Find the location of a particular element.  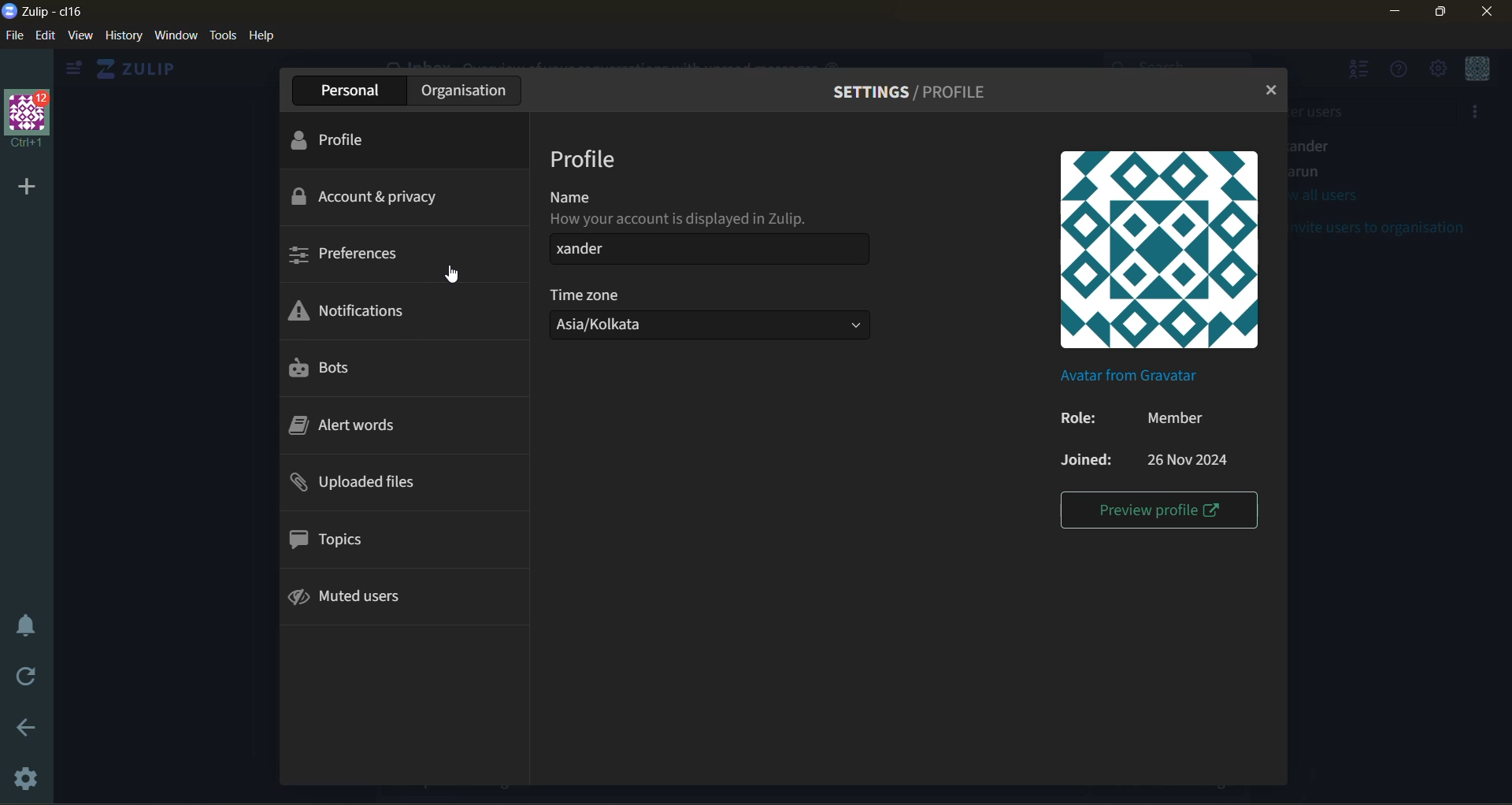

tools is located at coordinates (222, 35).